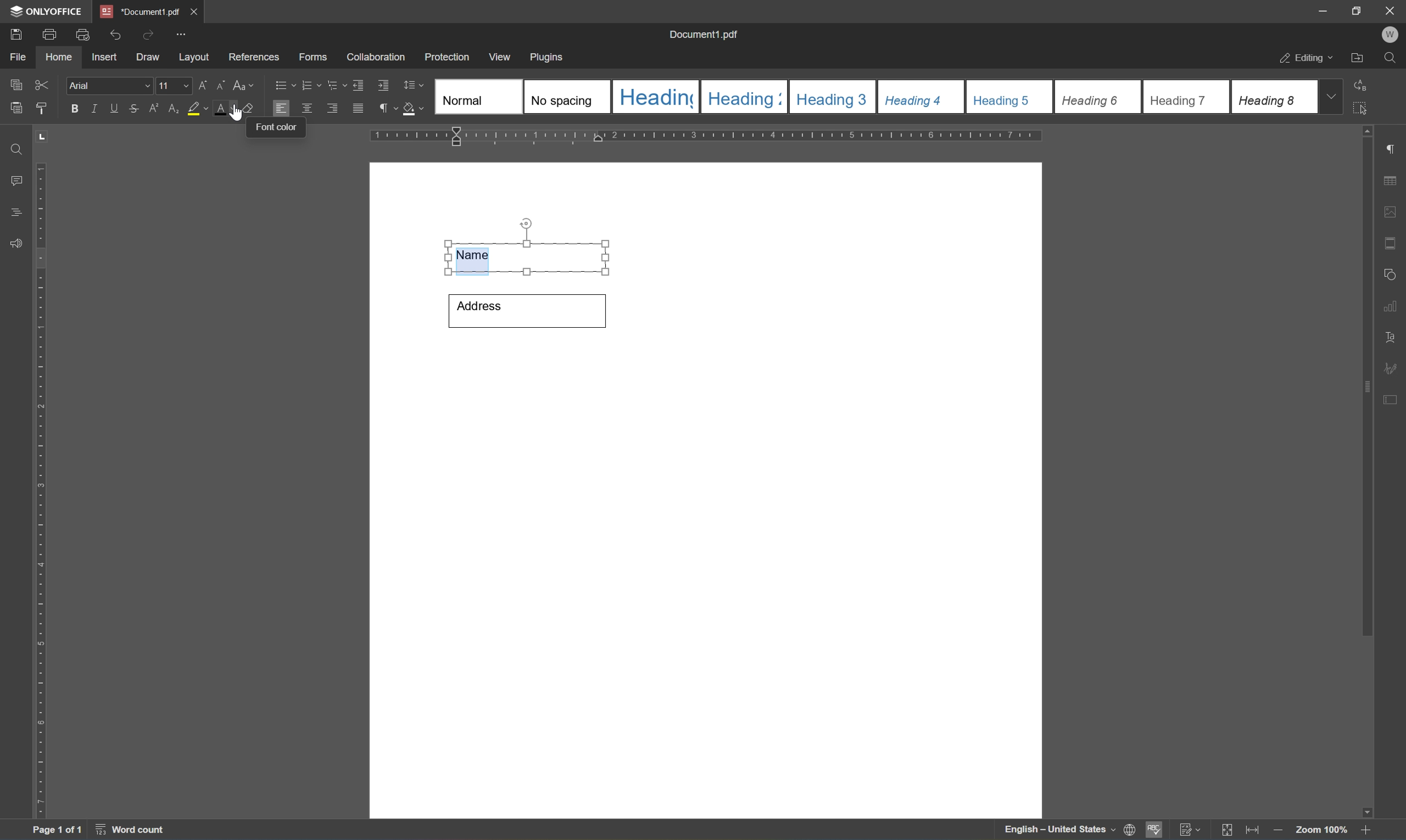  I want to click on form settings, so click(1393, 399).